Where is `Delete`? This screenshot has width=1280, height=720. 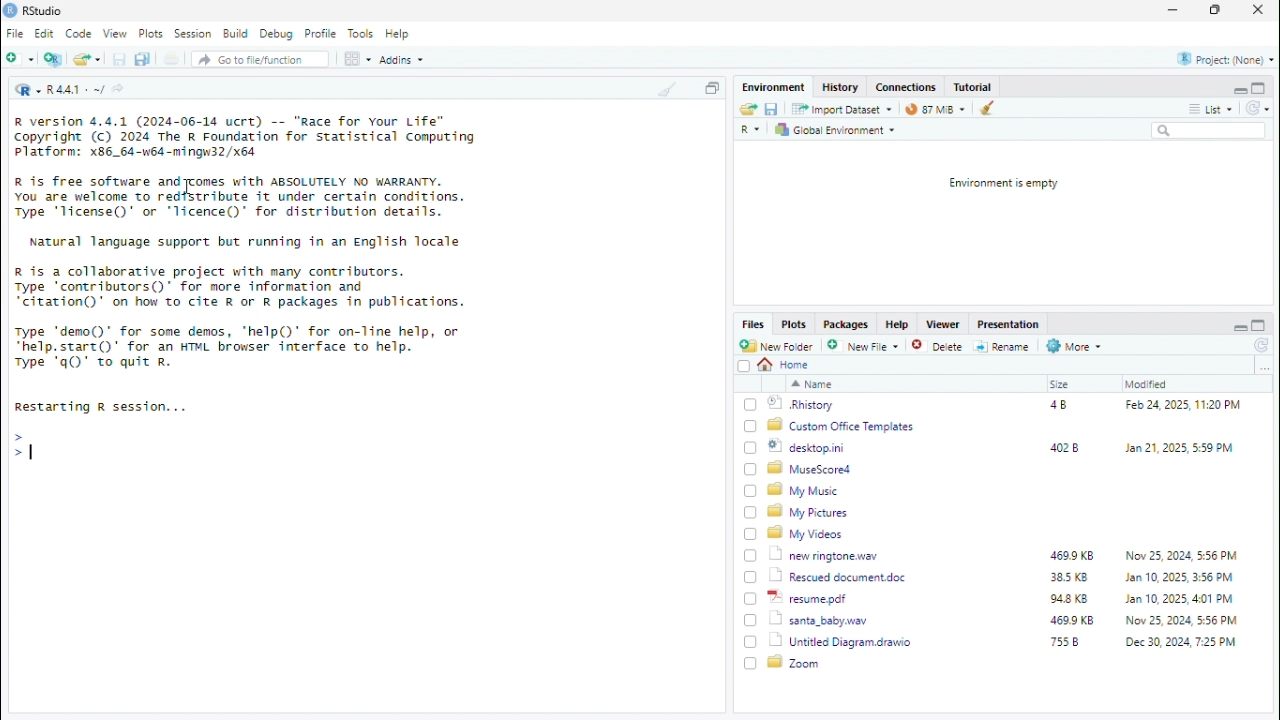 Delete is located at coordinates (939, 347).